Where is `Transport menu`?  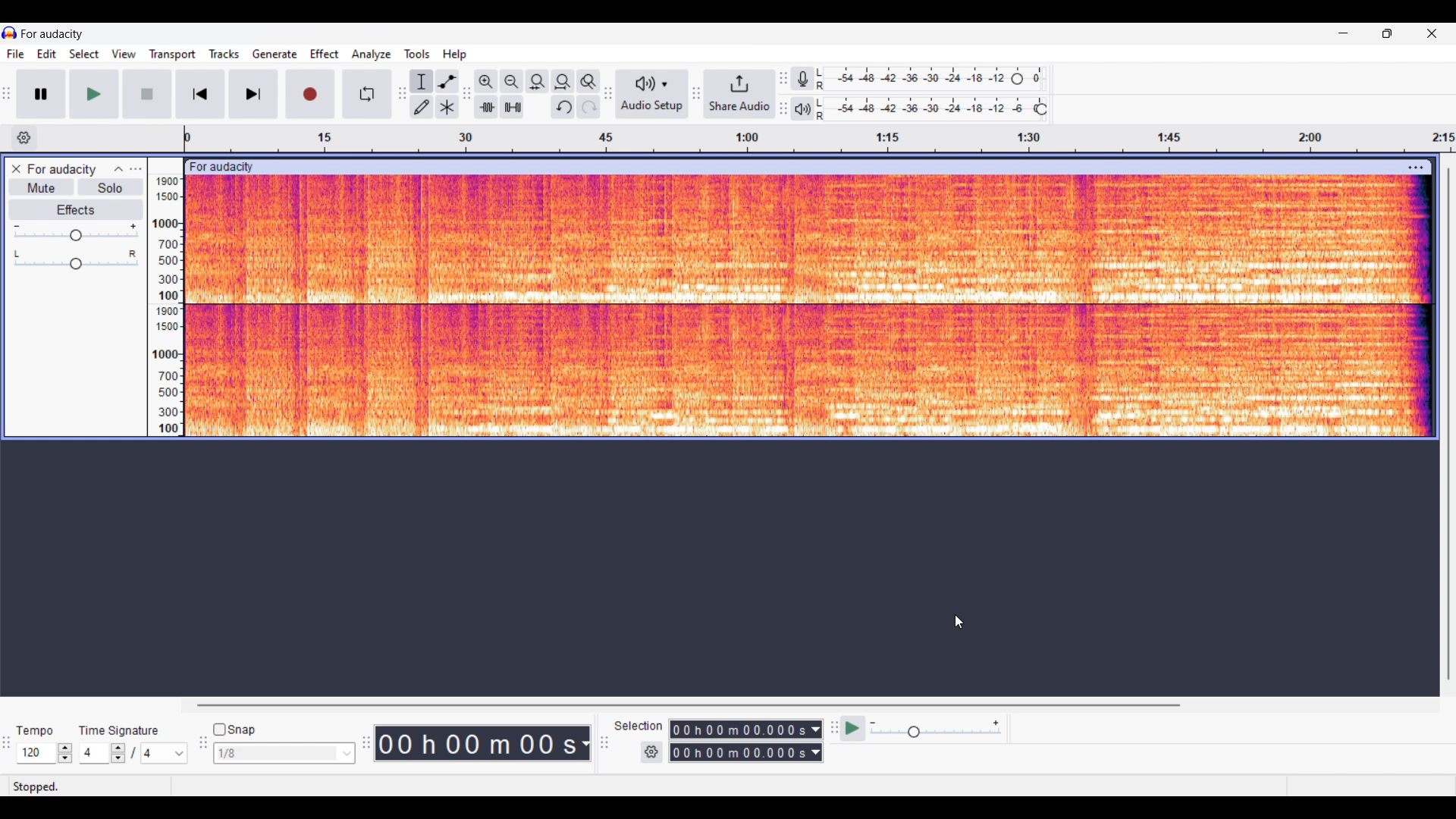
Transport menu is located at coordinates (173, 55).